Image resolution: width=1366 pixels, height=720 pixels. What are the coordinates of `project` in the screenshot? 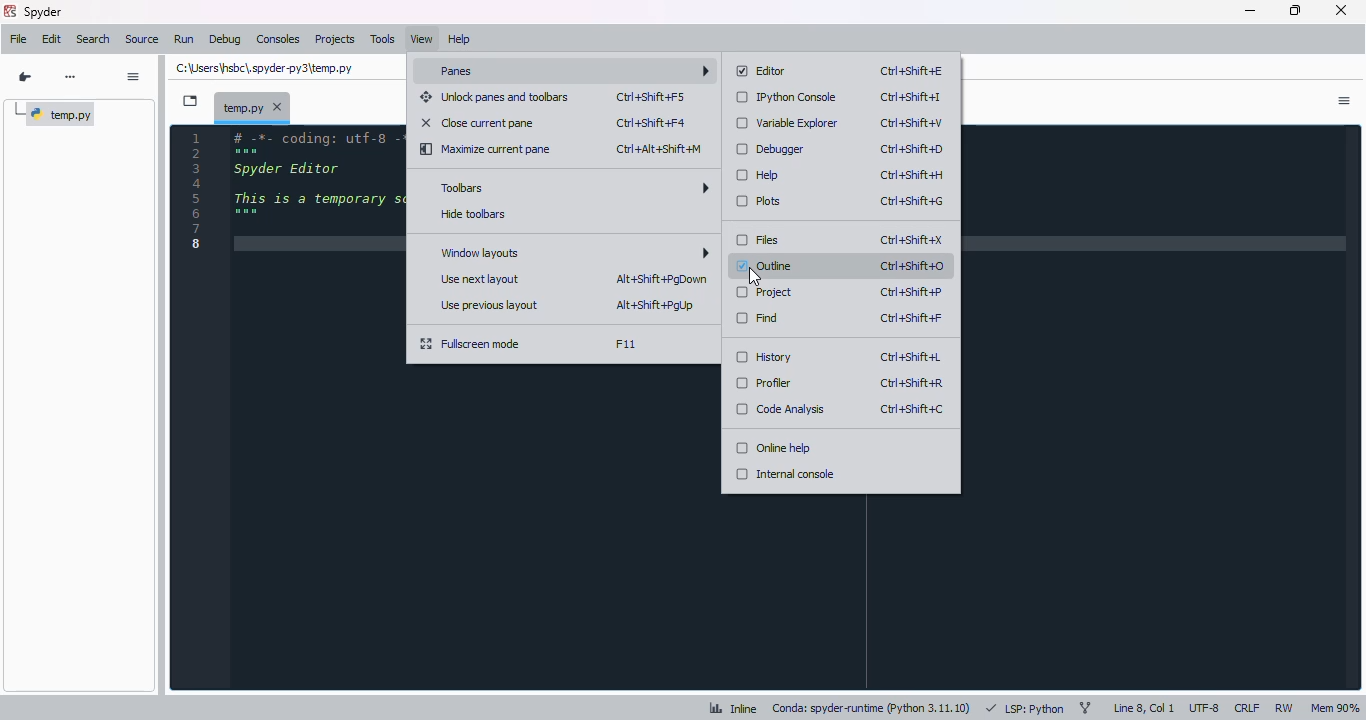 It's located at (765, 293).